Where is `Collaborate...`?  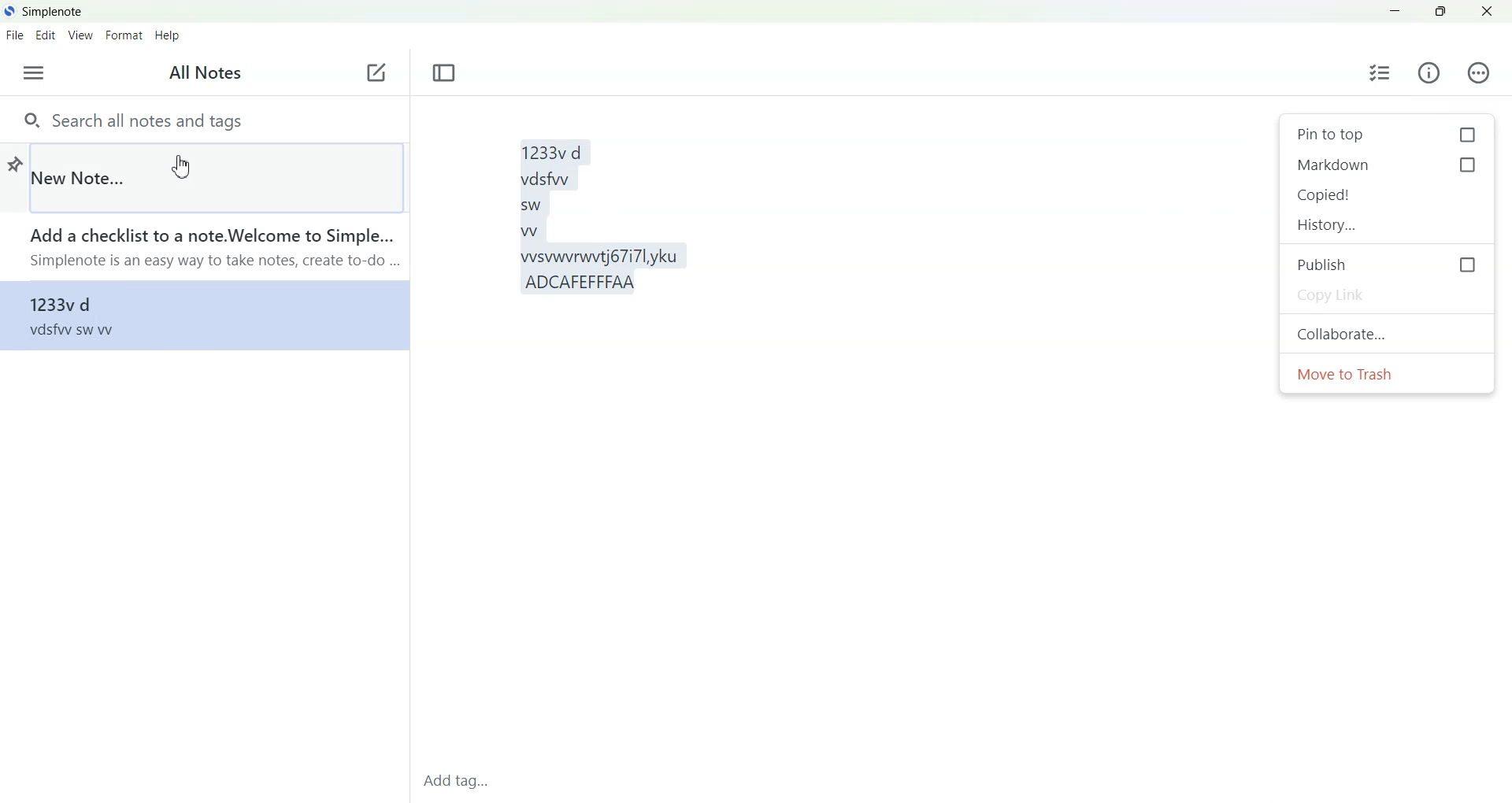 Collaborate... is located at coordinates (1388, 333).